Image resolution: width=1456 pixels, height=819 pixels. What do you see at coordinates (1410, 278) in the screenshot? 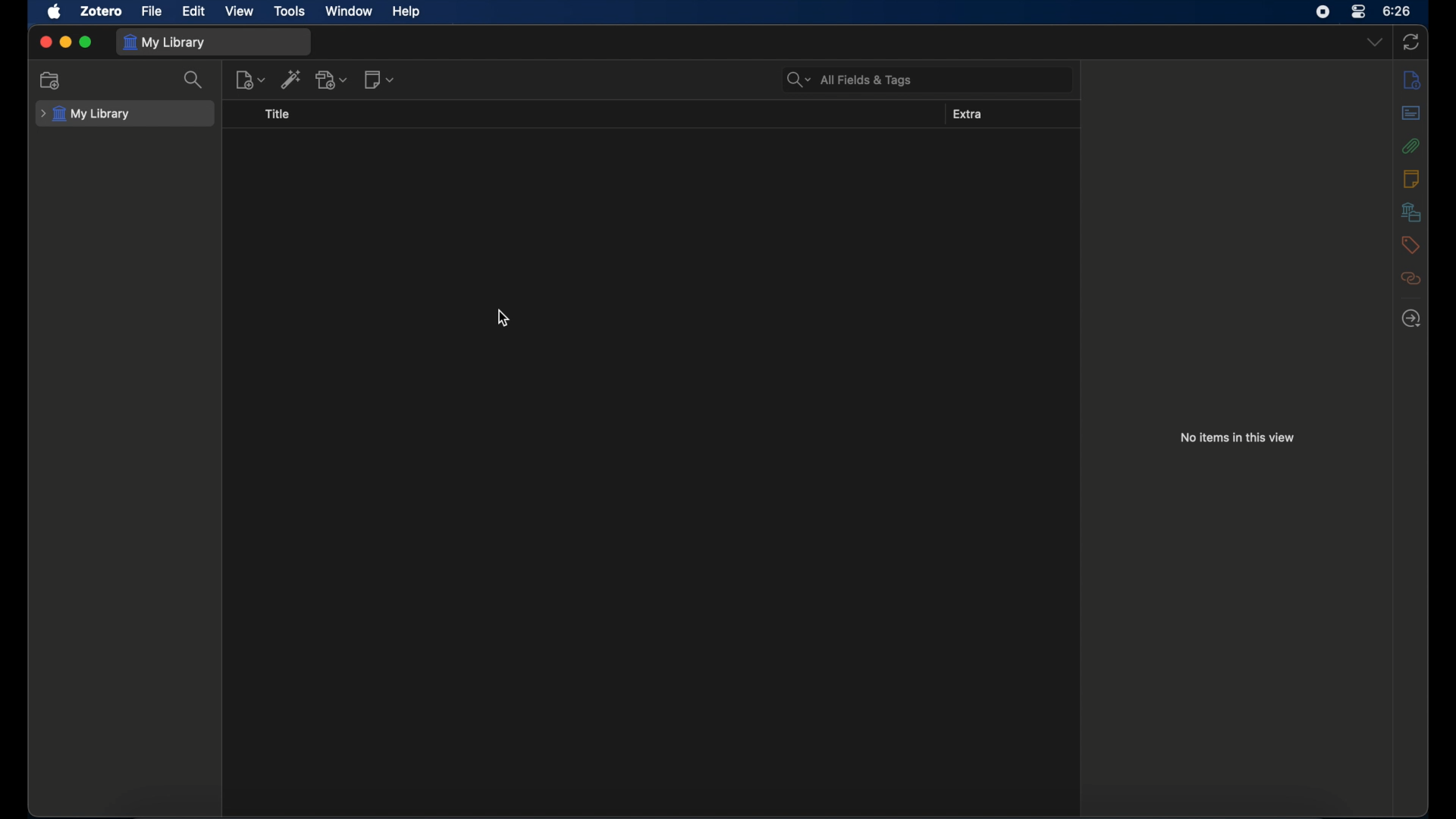
I see `related` at bounding box center [1410, 278].